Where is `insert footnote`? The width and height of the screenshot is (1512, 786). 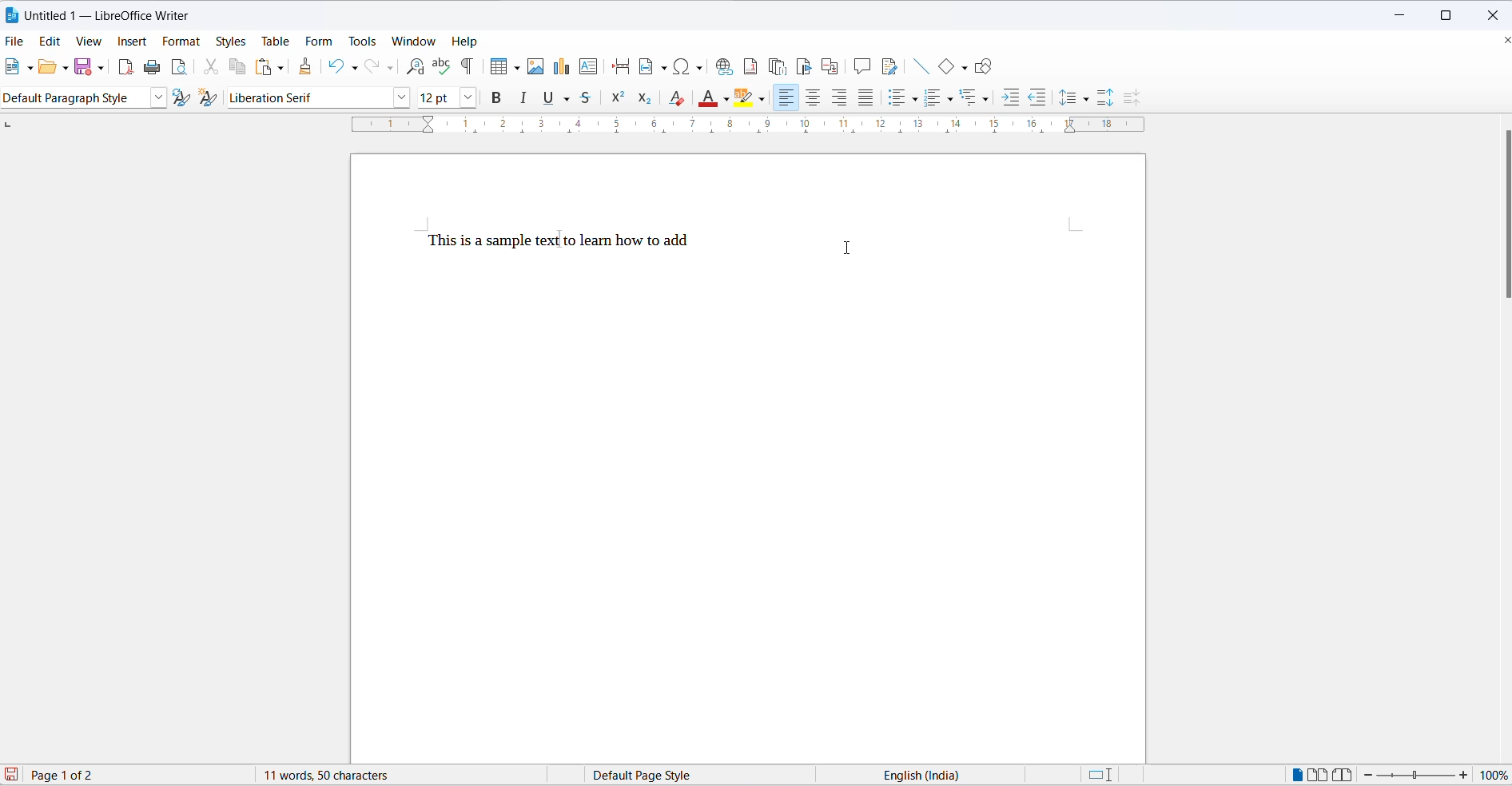
insert footnote is located at coordinates (751, 66).